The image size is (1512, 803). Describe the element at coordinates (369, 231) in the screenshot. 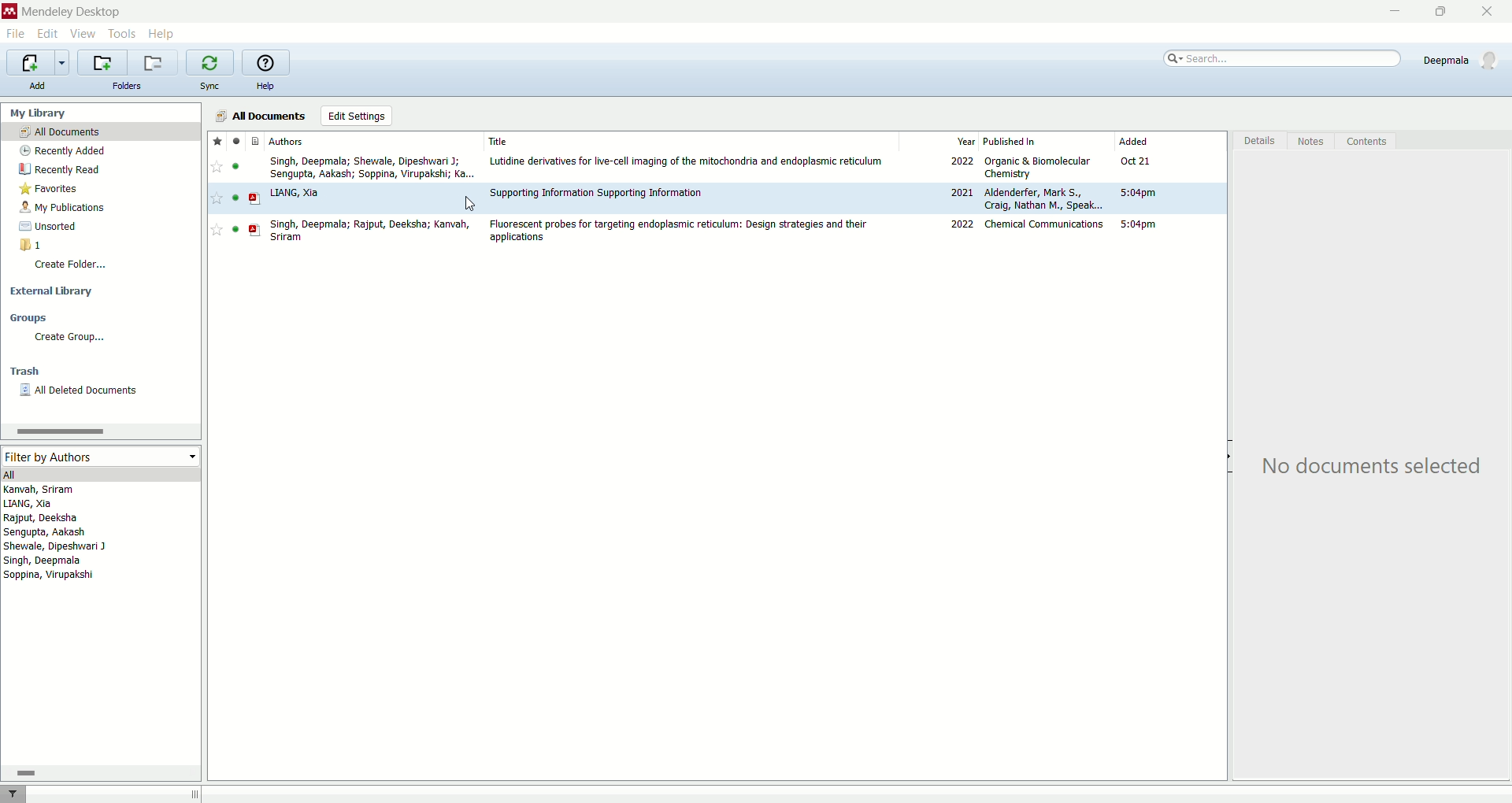

I see `Singh, Deepmala; Rajput, Deeksha; Kanvah,
Sriram` at that location.